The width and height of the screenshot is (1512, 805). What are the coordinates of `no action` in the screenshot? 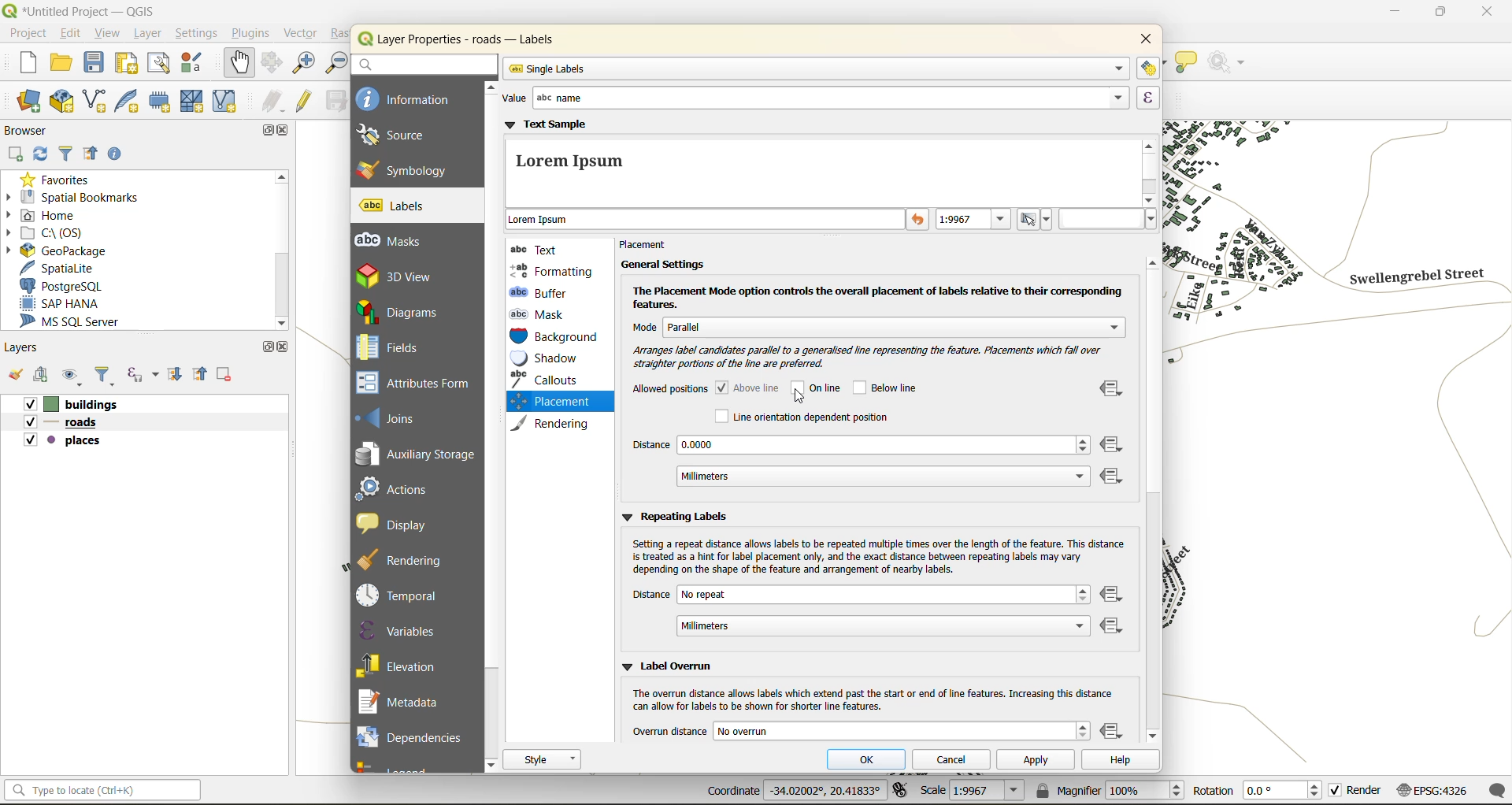 It's located at (1232, 63).